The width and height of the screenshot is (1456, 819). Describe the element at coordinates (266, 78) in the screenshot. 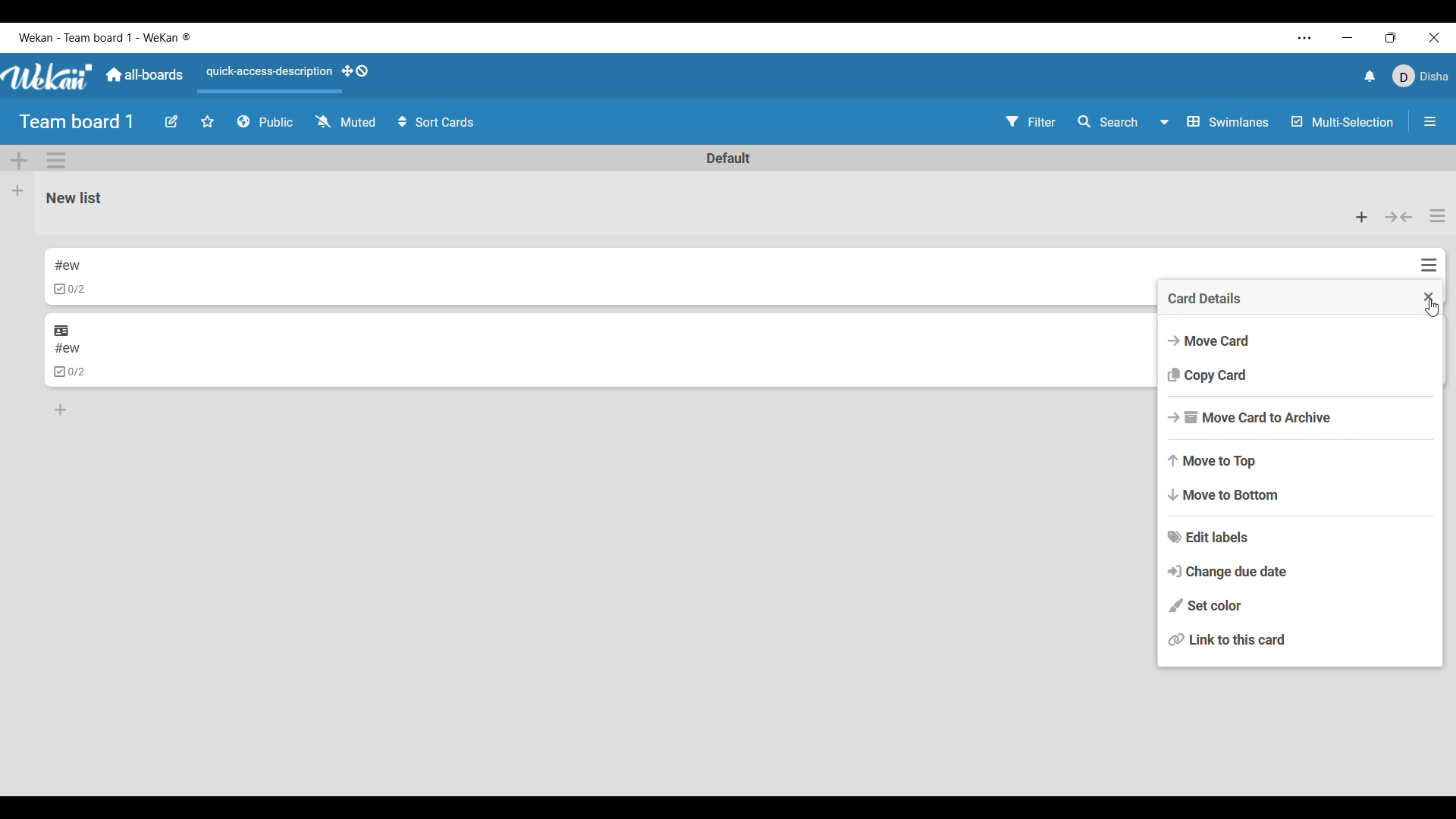

I see `Quick access description` at that location.